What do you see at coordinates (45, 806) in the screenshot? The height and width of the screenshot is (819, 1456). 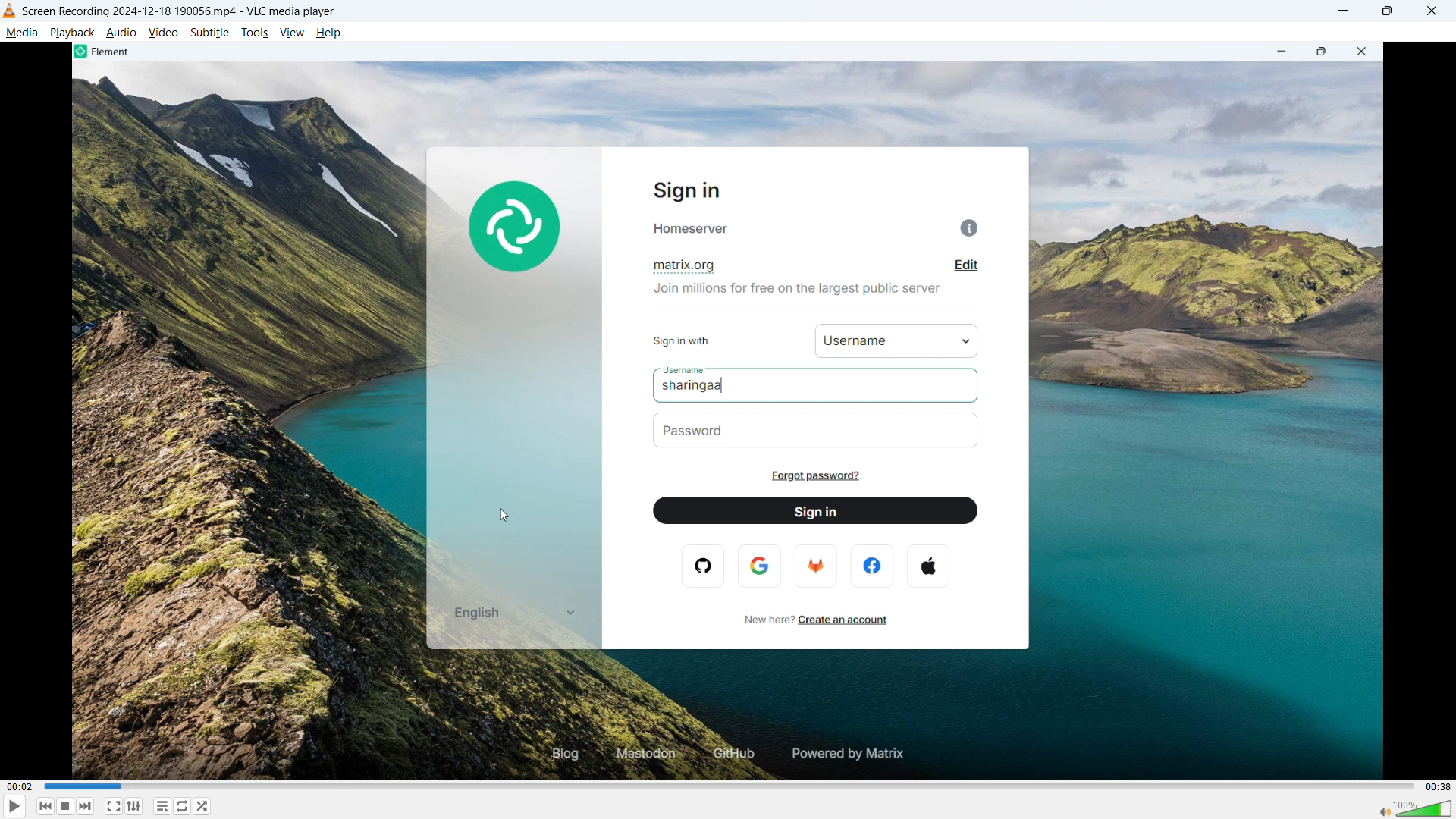 I see `Backward` at bounding box center [45, 806].